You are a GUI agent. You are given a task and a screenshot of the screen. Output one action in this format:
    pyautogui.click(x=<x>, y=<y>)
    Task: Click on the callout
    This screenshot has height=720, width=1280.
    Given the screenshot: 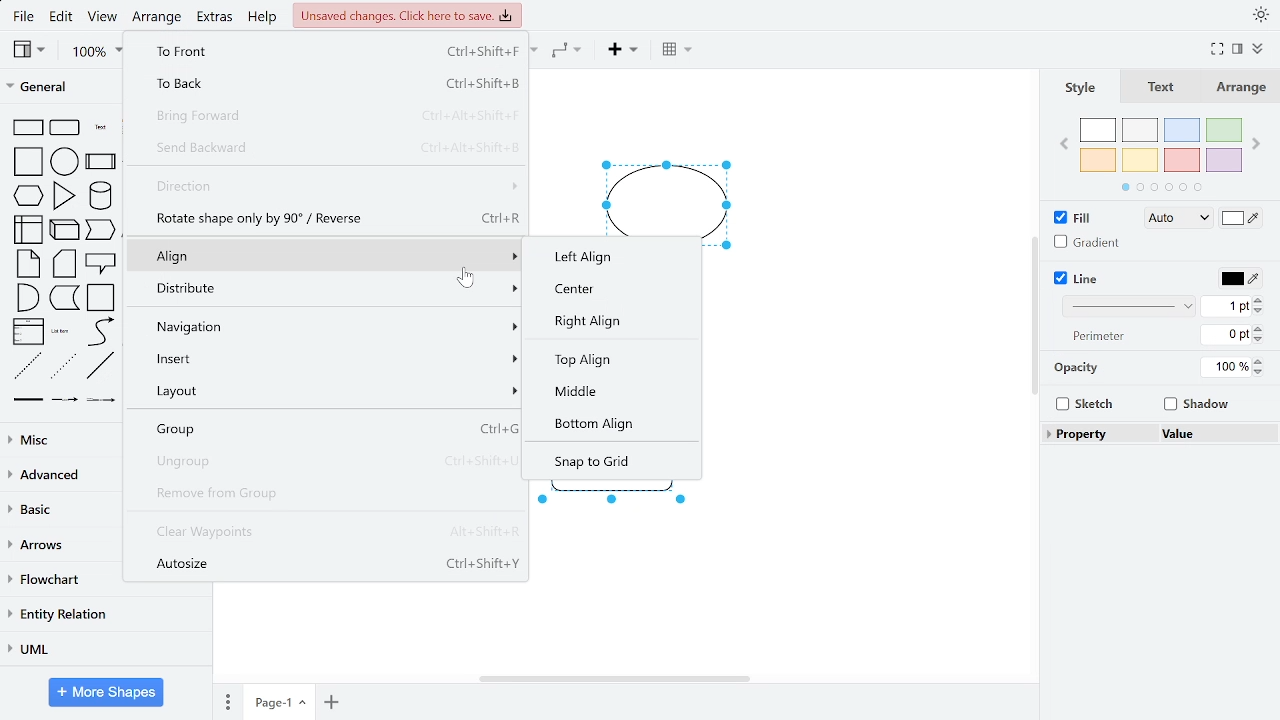 What is the action you would take?
    pyautogui.click(x=101, y=263)
    